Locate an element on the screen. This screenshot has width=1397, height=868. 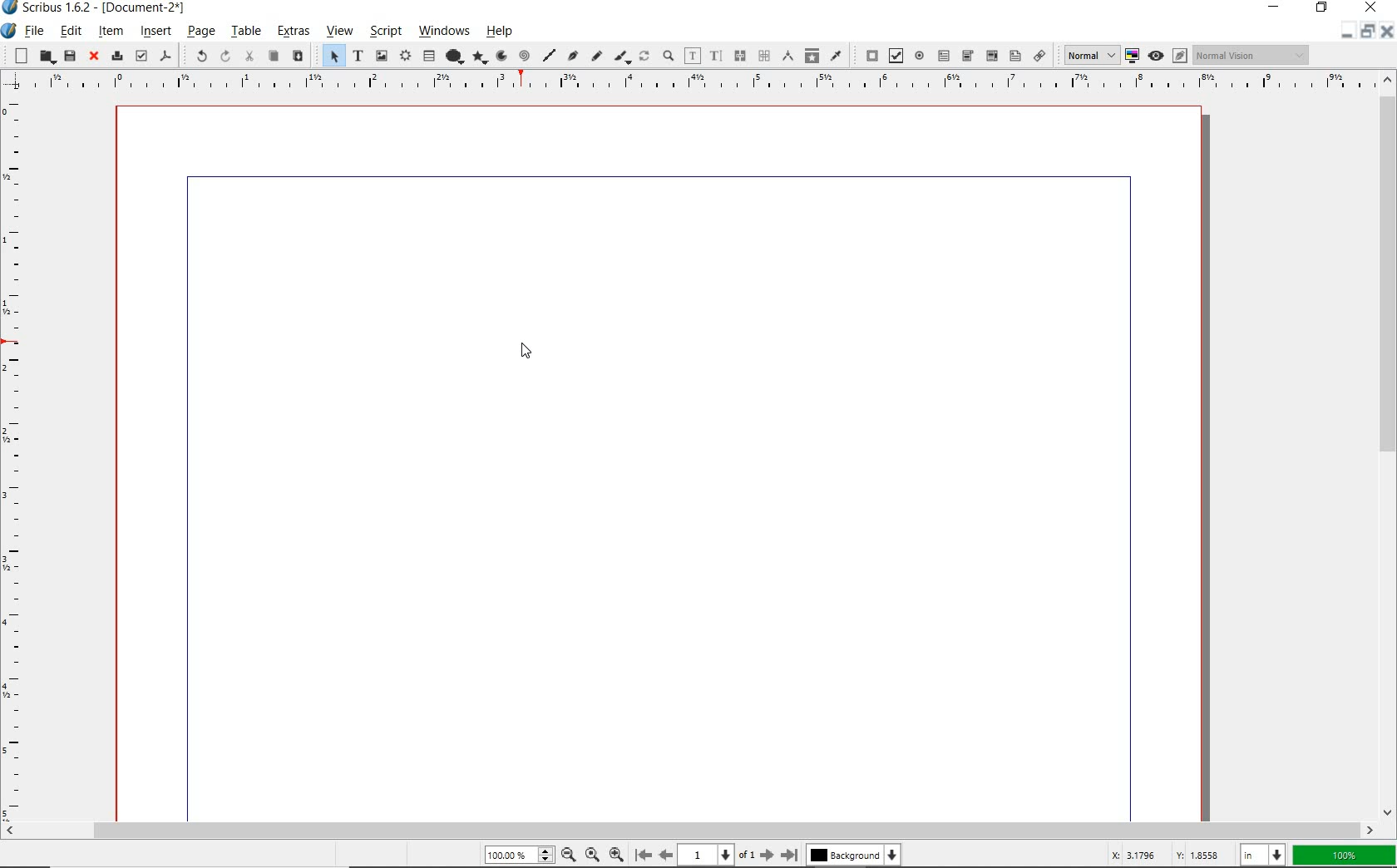
link annotation is located at coordinates (1039, 57).